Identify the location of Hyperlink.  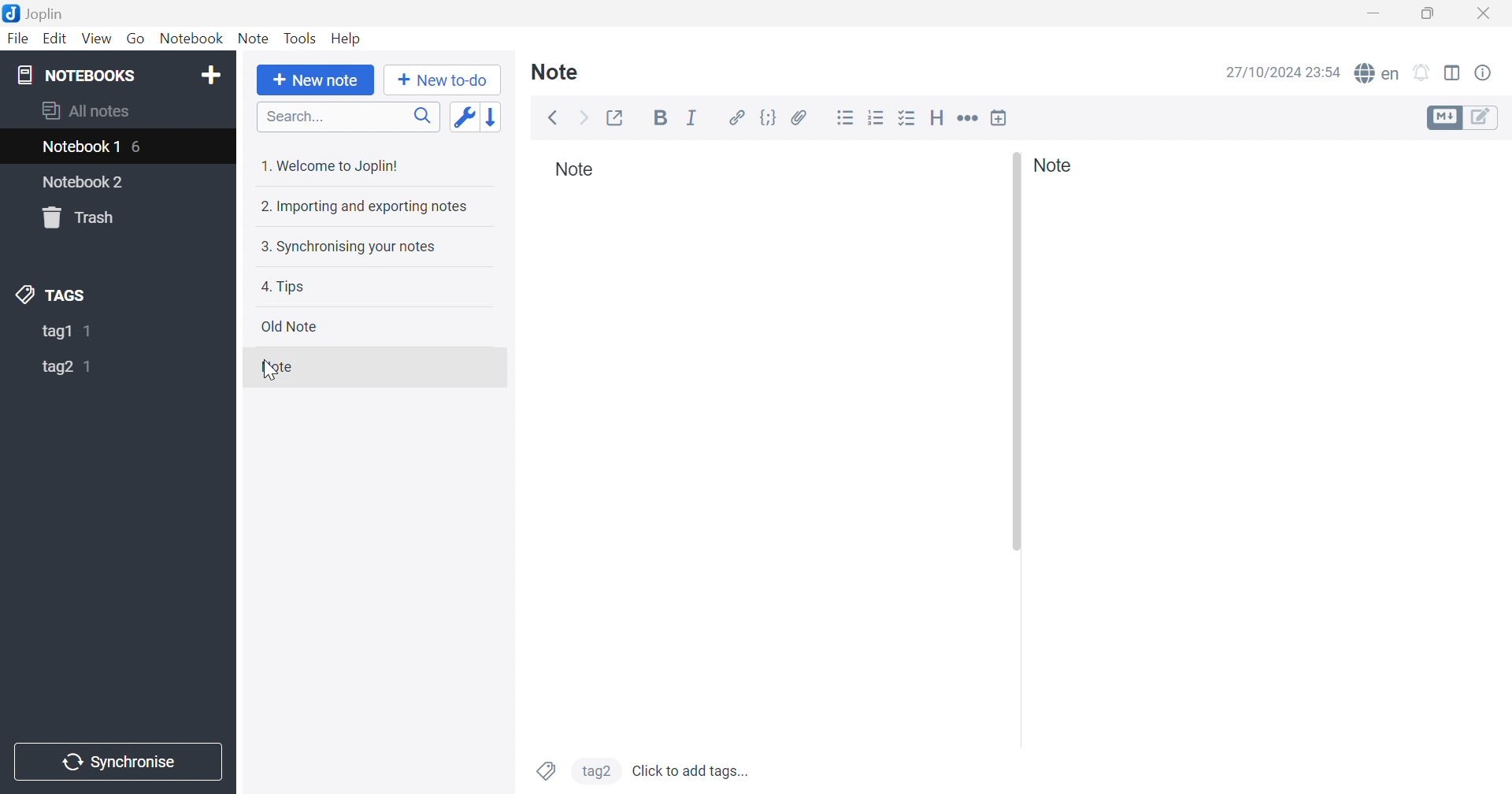
(739, 118).